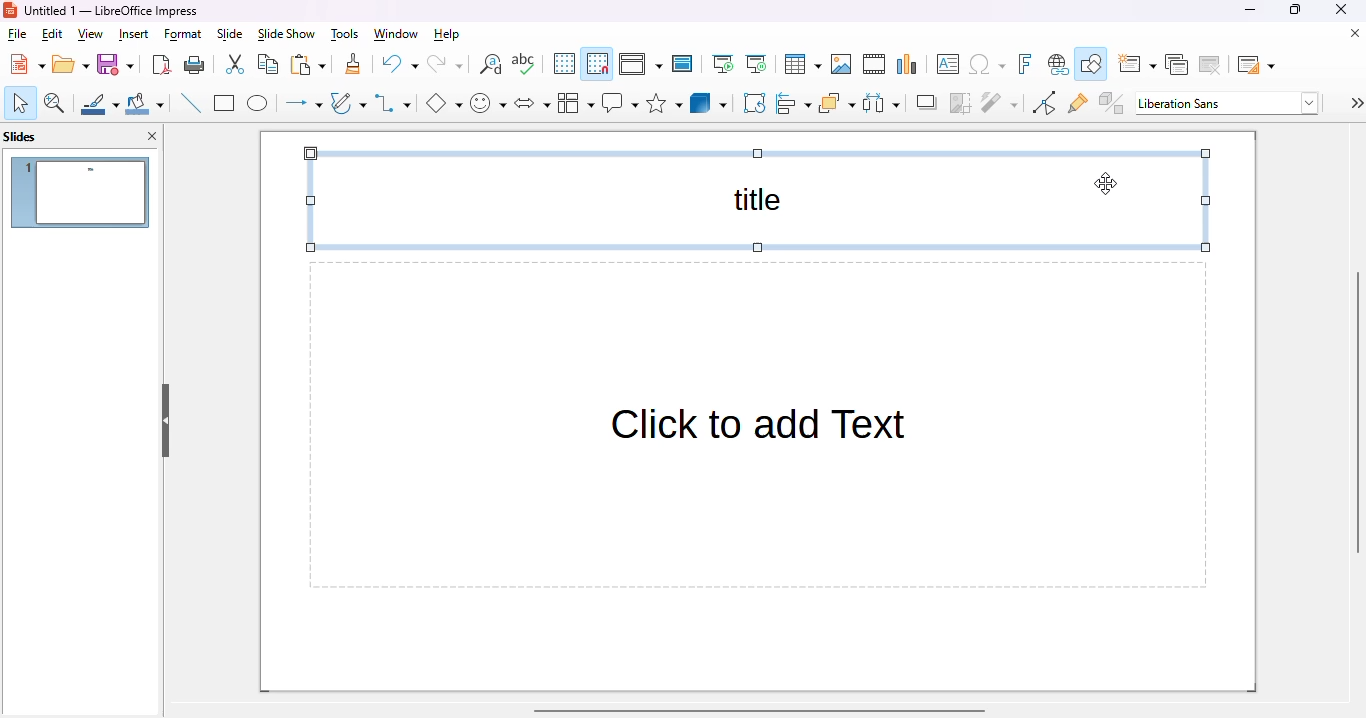 The width and height of the screenshot is (1366, 718). Describe the element at coordinates (1341, 10) in the screenshot. I see `close` at that location.